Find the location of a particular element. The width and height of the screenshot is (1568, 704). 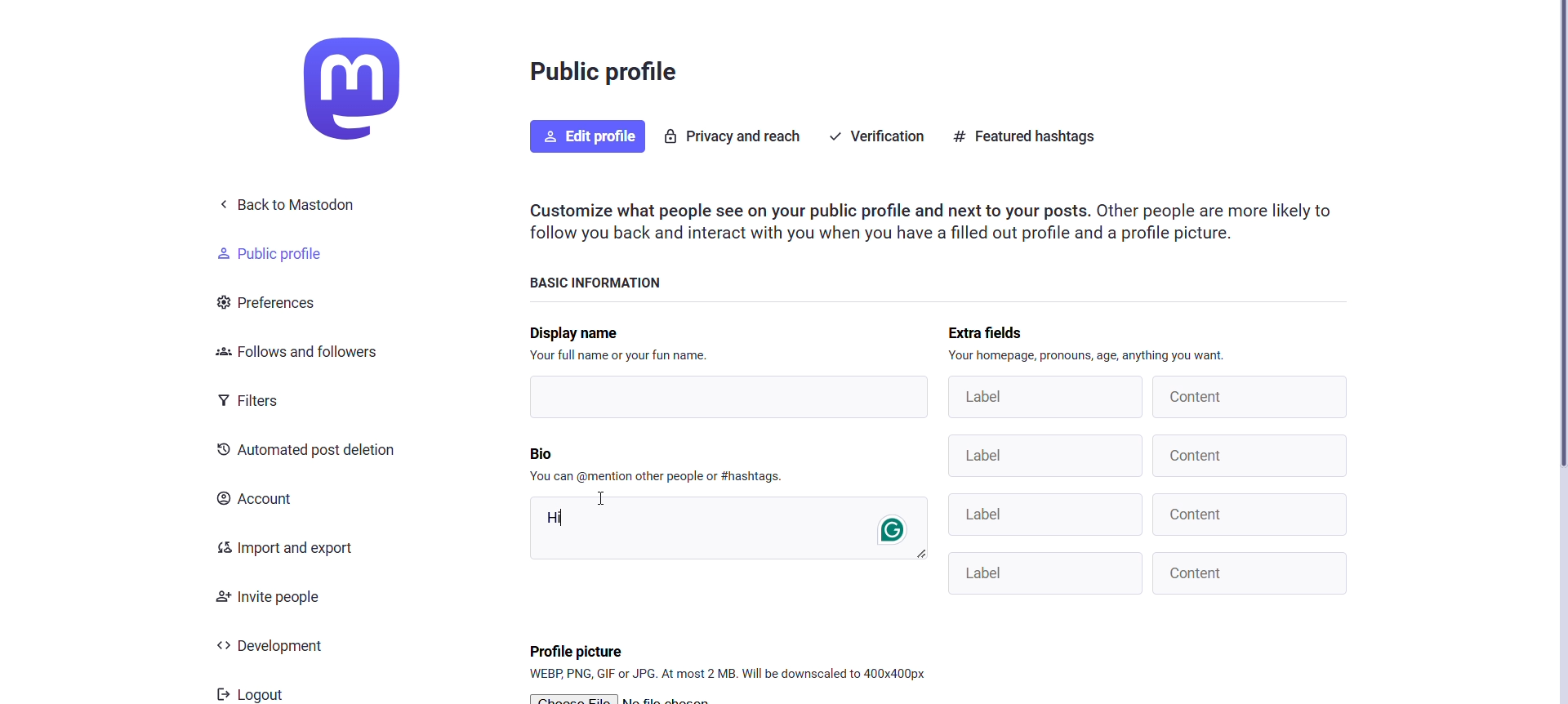

Public Profile is located at coordinates (282, 252).